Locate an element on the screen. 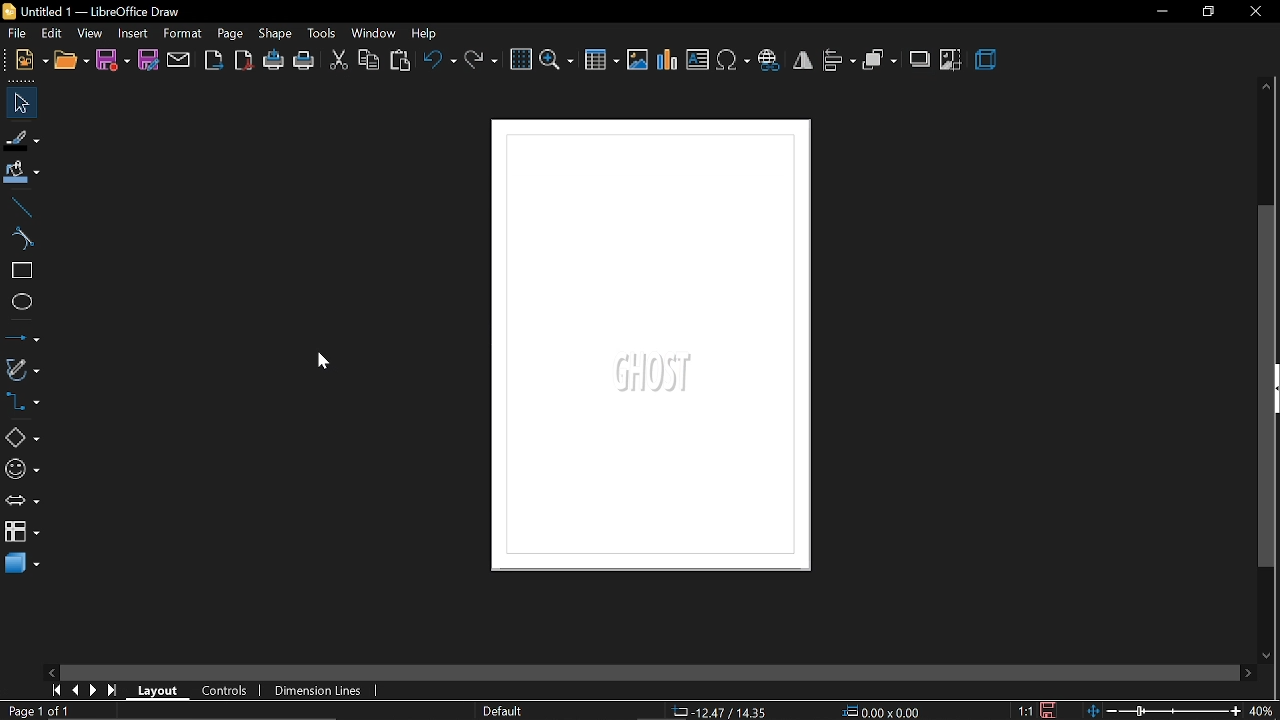 The width and height of the screenshot is (1280, 720). insert chart is located at coordinates (668, 63).